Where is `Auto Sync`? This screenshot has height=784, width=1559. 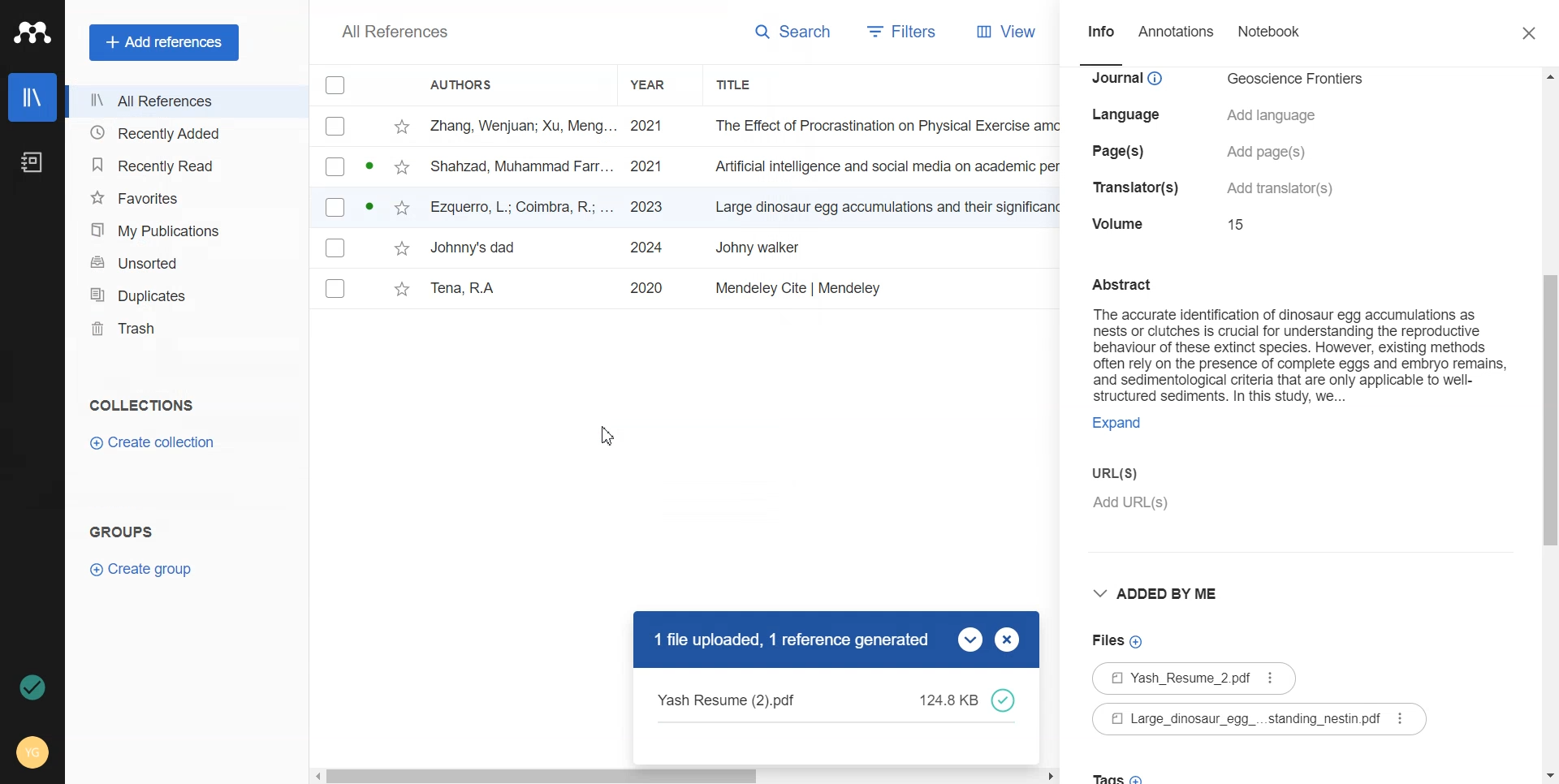 Auto Sync is located at coordinates (32, 687).